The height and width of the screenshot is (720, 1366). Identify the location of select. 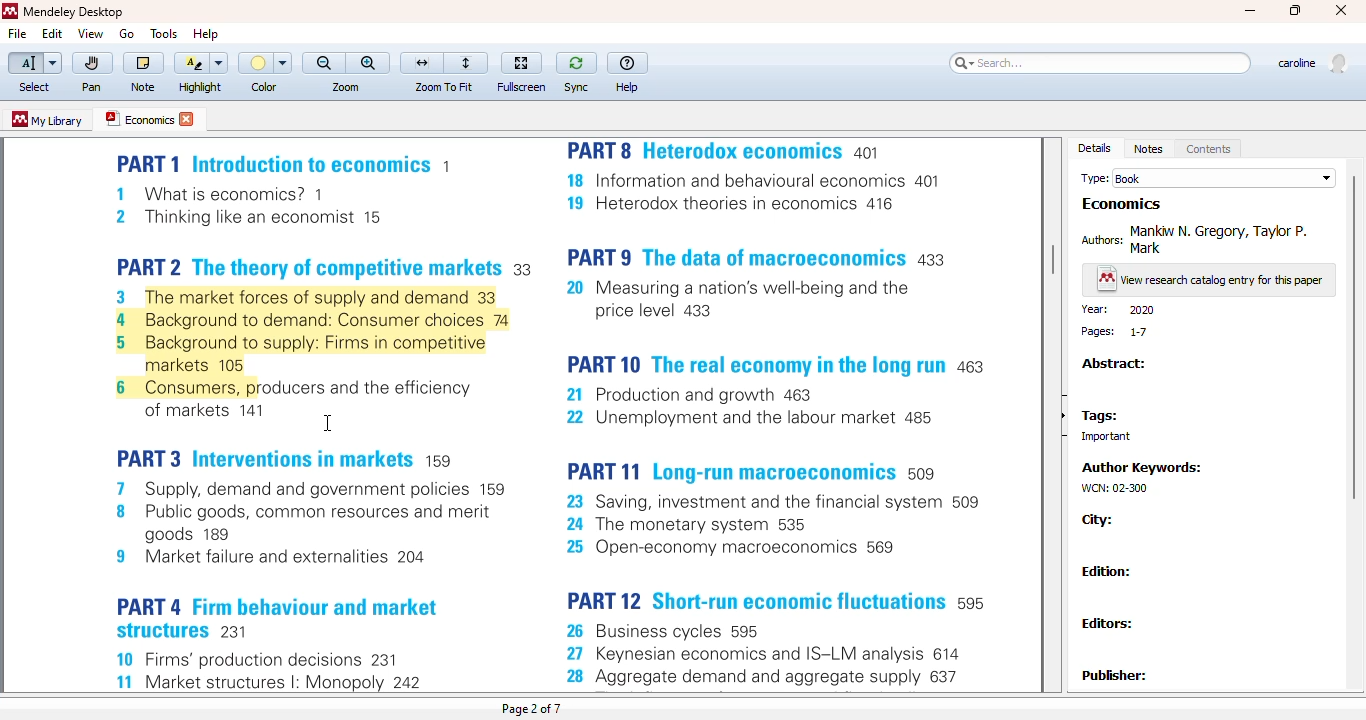
(34, 64).